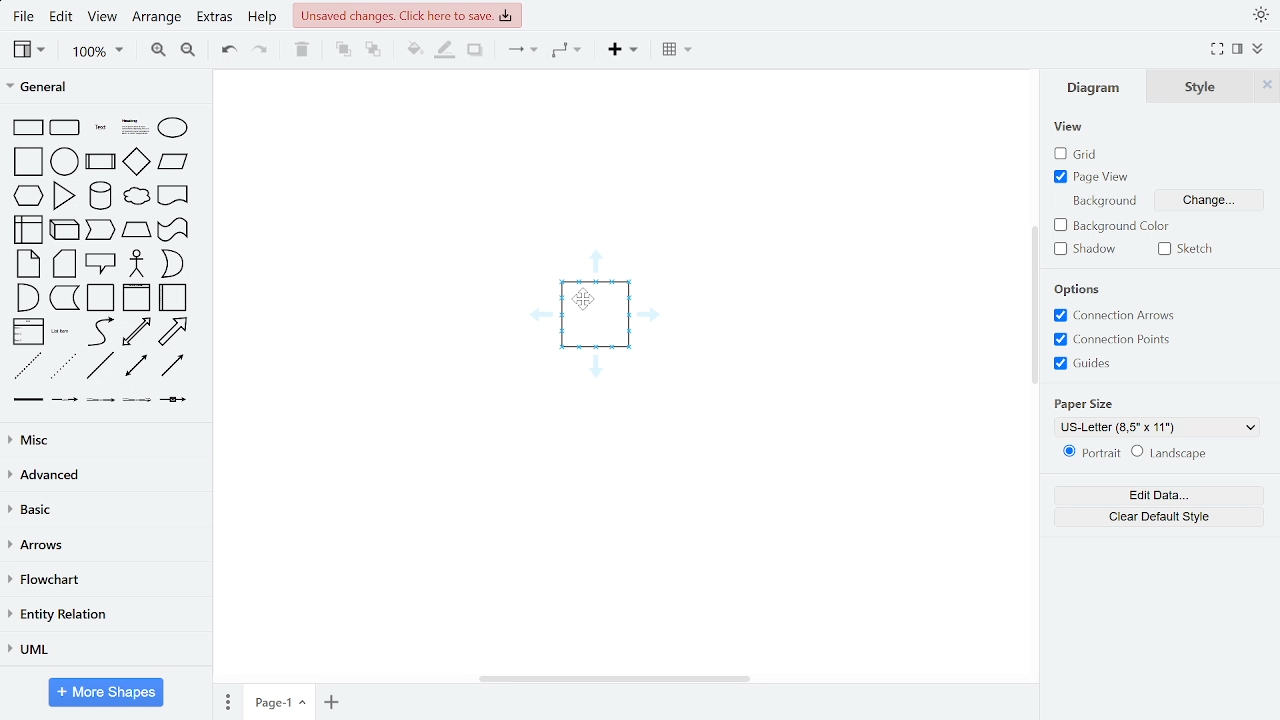 The width and height of the screenshot is (1280, 720). What do you see at coordinates (1195, 87) in the screenshot?
I see `style` at bounding box center [1195, 87].